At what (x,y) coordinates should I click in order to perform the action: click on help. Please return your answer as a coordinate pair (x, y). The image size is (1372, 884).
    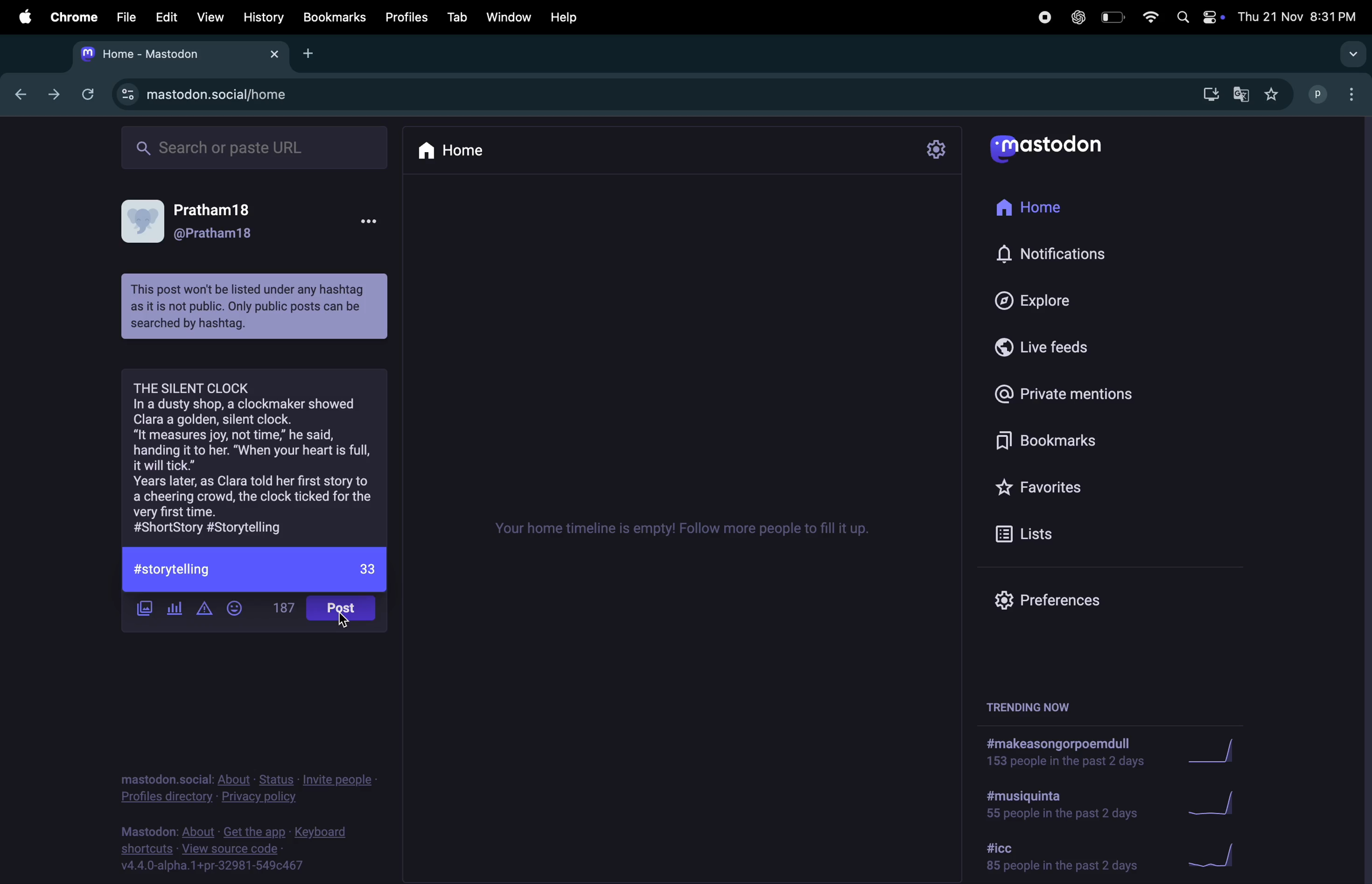
    Looking at the image, I should click on (561, 18).